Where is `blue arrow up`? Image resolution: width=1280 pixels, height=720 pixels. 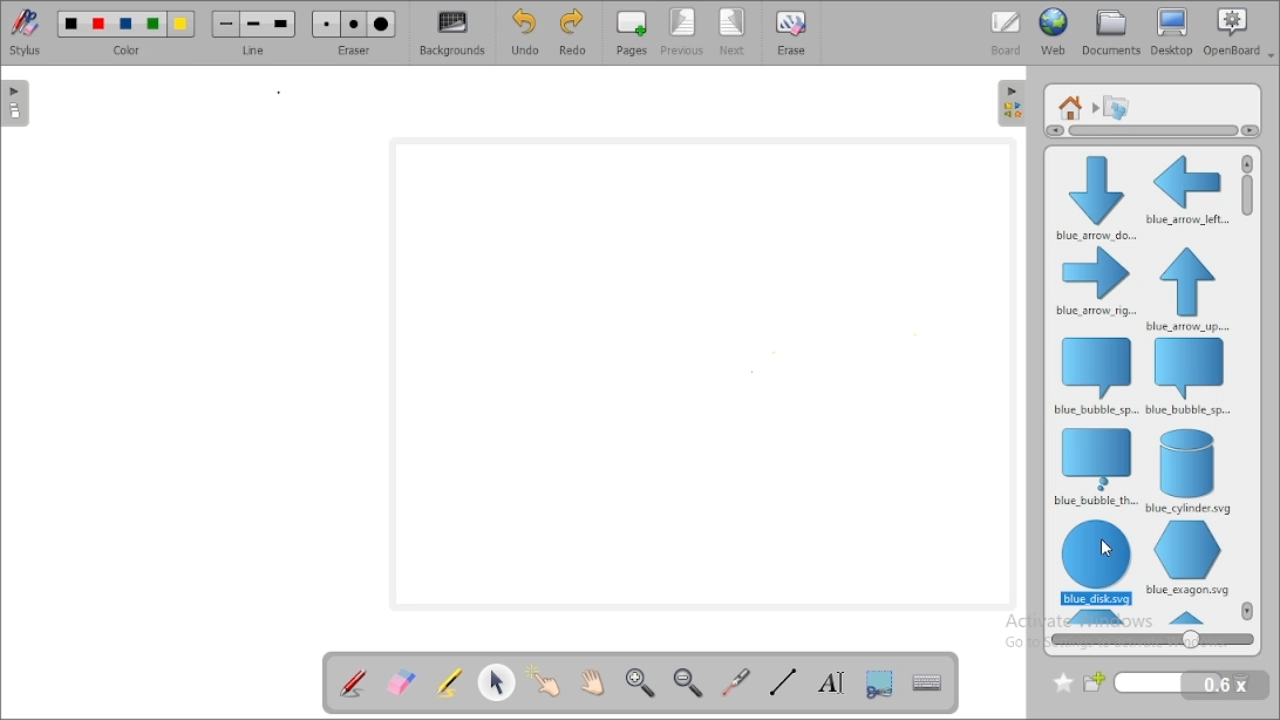 blue arrow up is located at coordinates (1188, 289).